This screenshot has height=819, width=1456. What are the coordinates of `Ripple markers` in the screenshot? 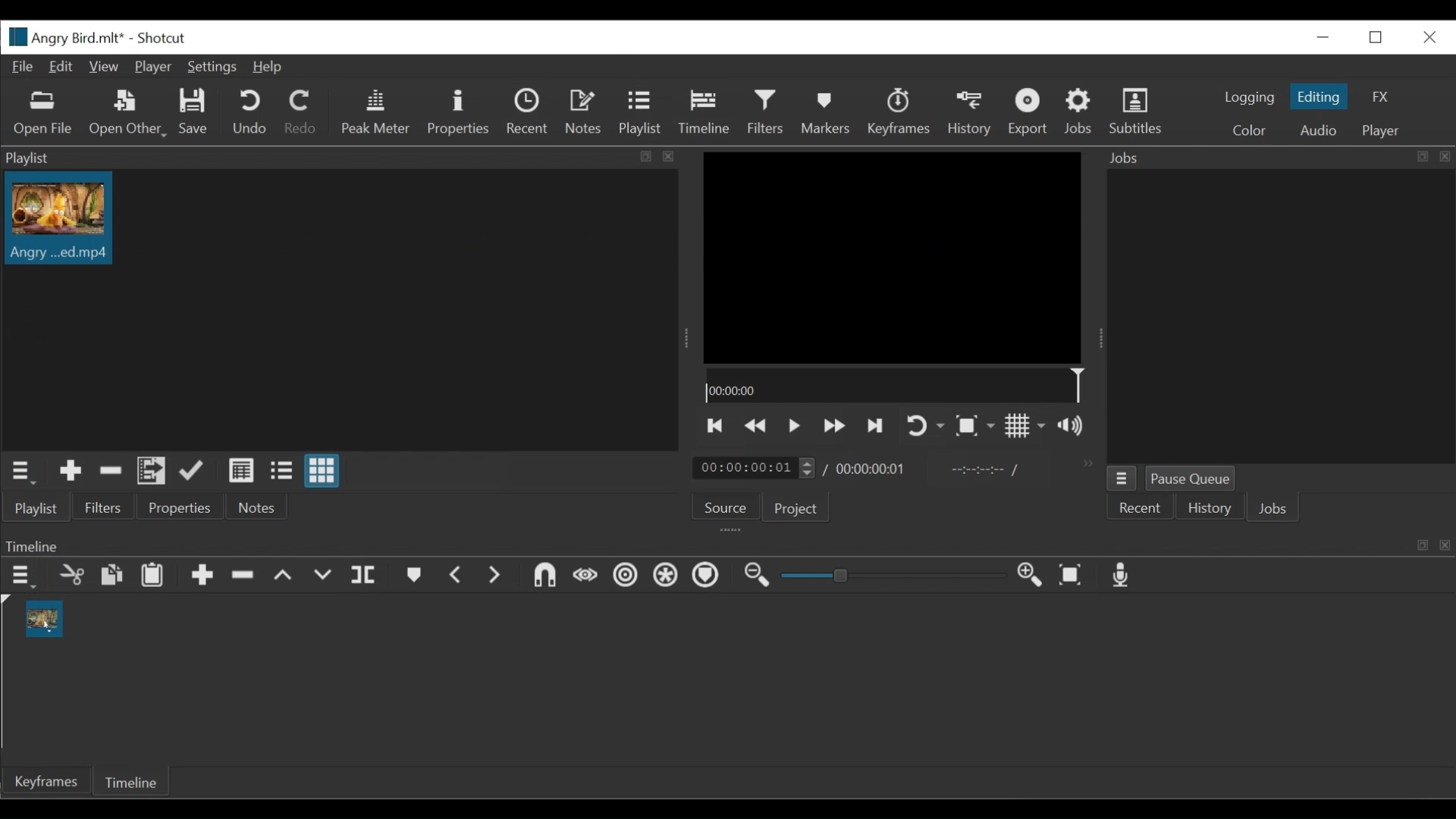 It's located at (709, 576).